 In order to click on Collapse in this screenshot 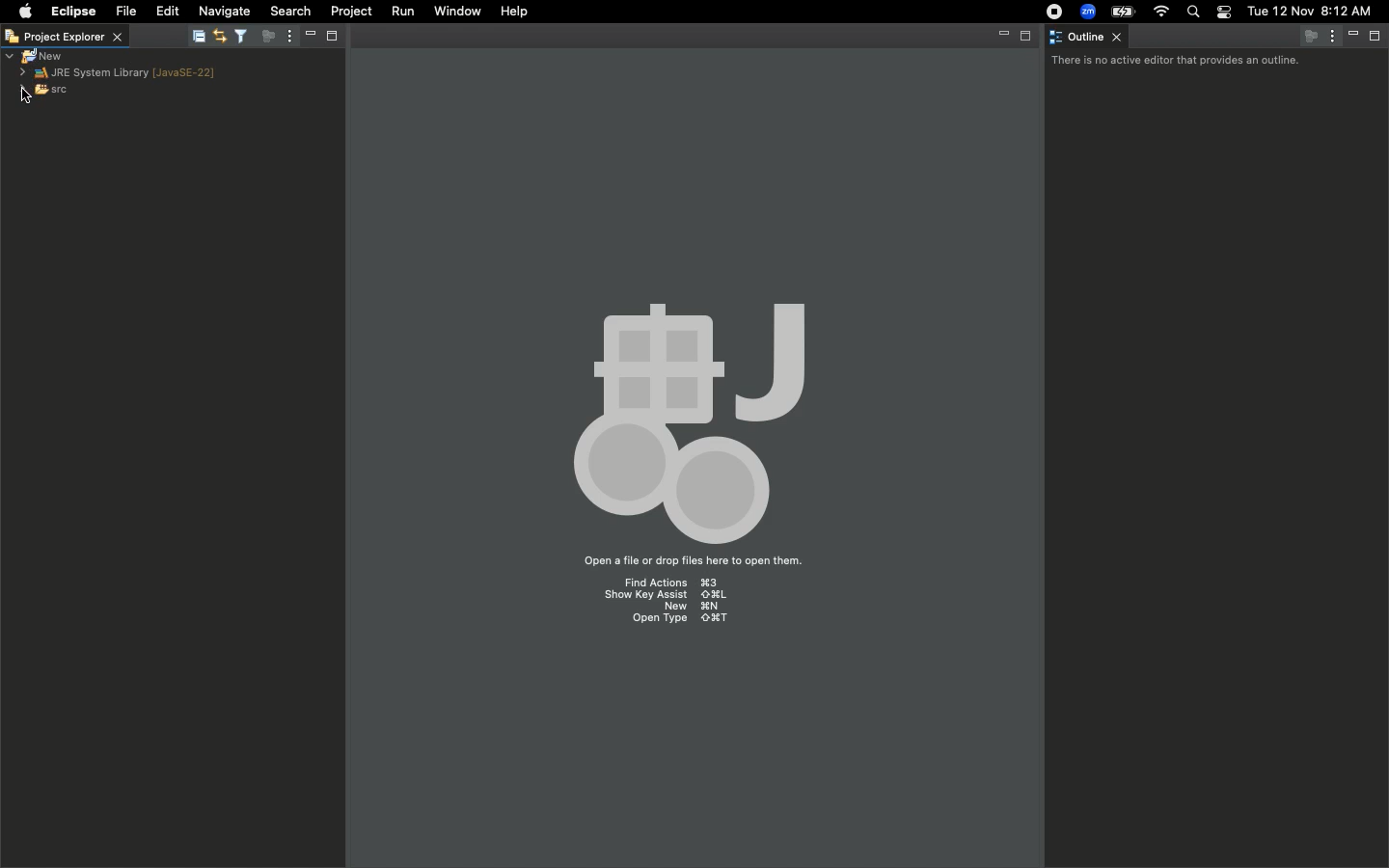, I will do `click(196, 36)`.